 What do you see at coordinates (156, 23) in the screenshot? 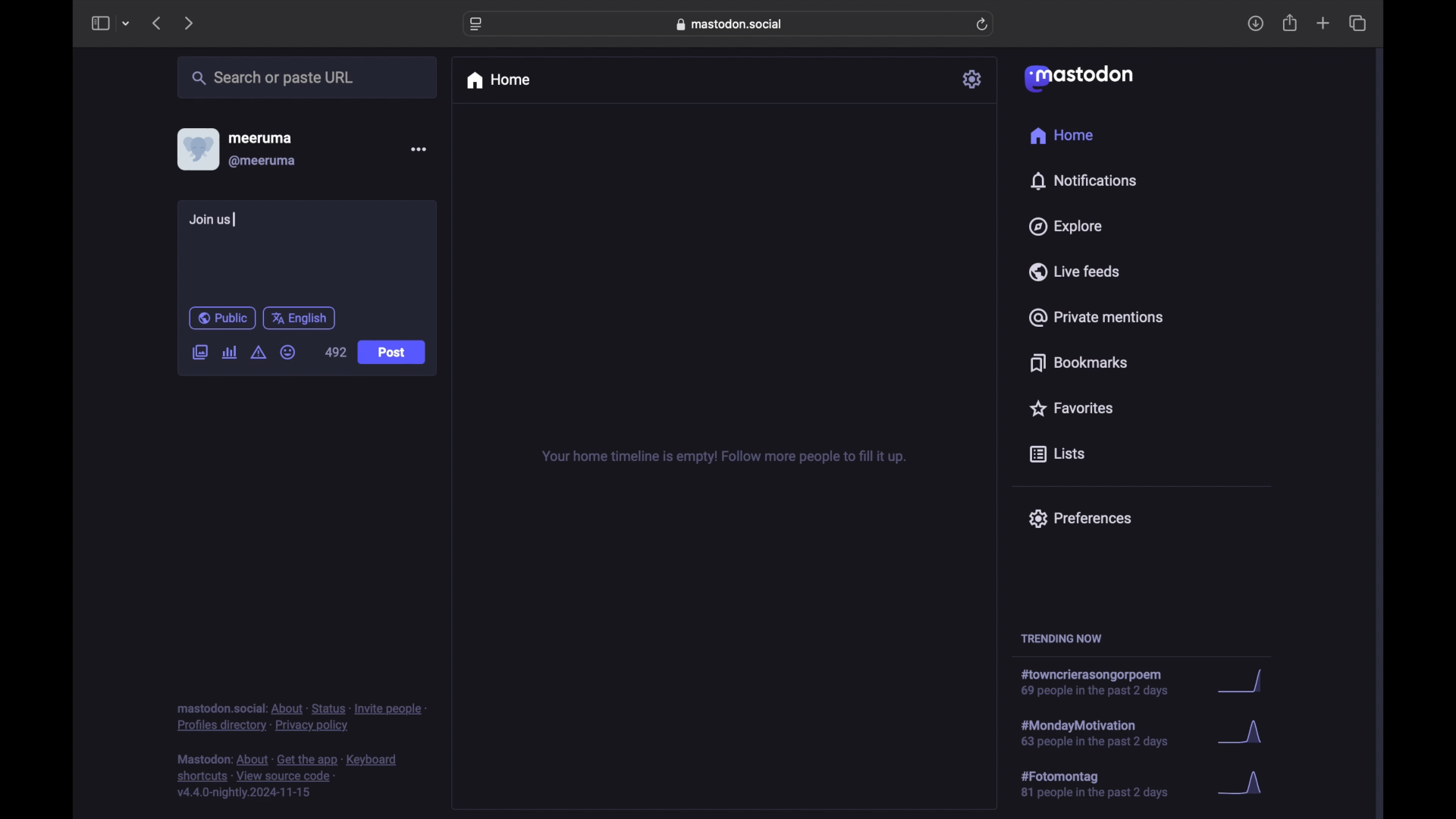
I see `previous` at bounding box center [156, 23].